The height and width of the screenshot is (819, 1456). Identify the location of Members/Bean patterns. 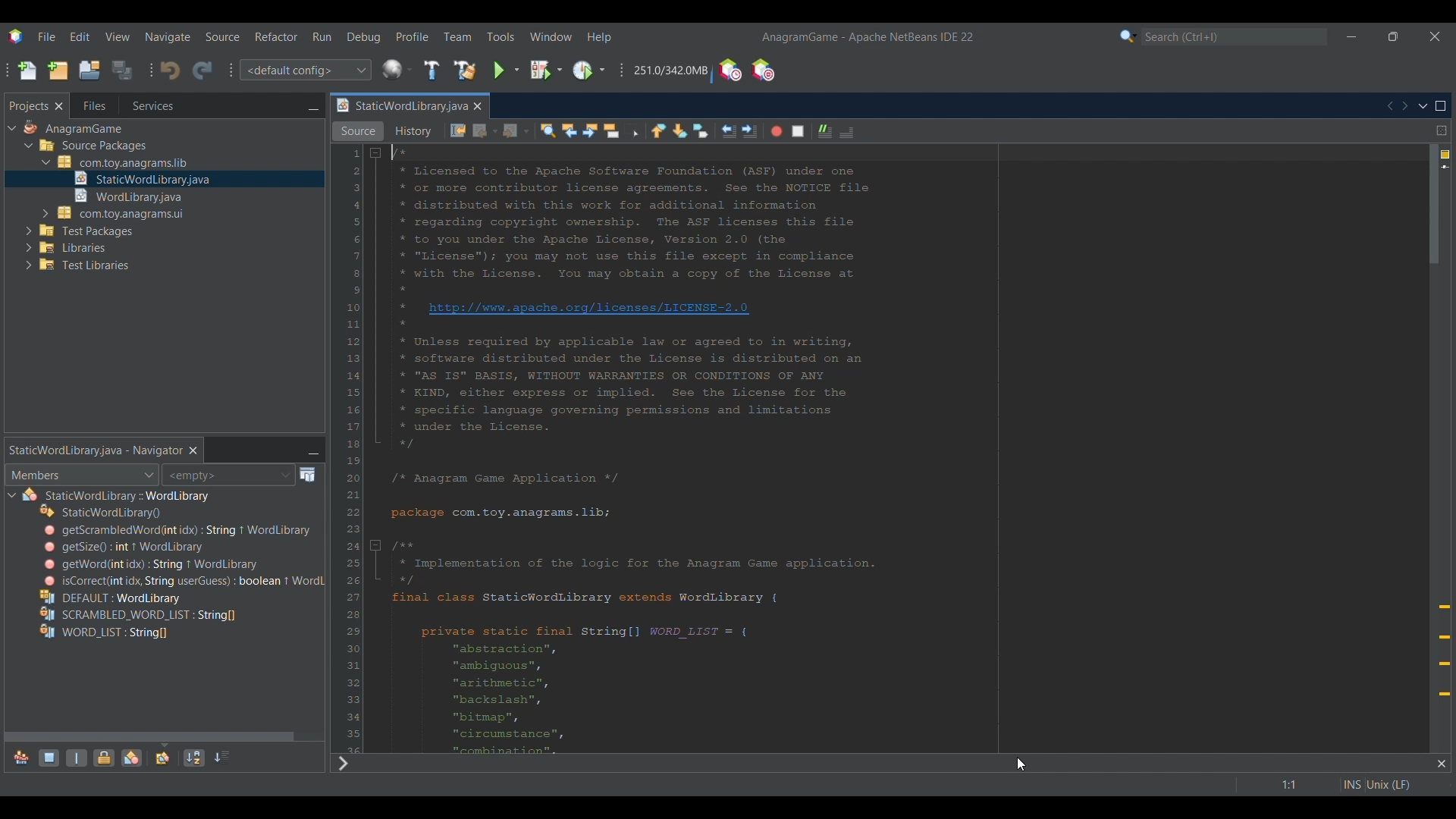
(82, 475).